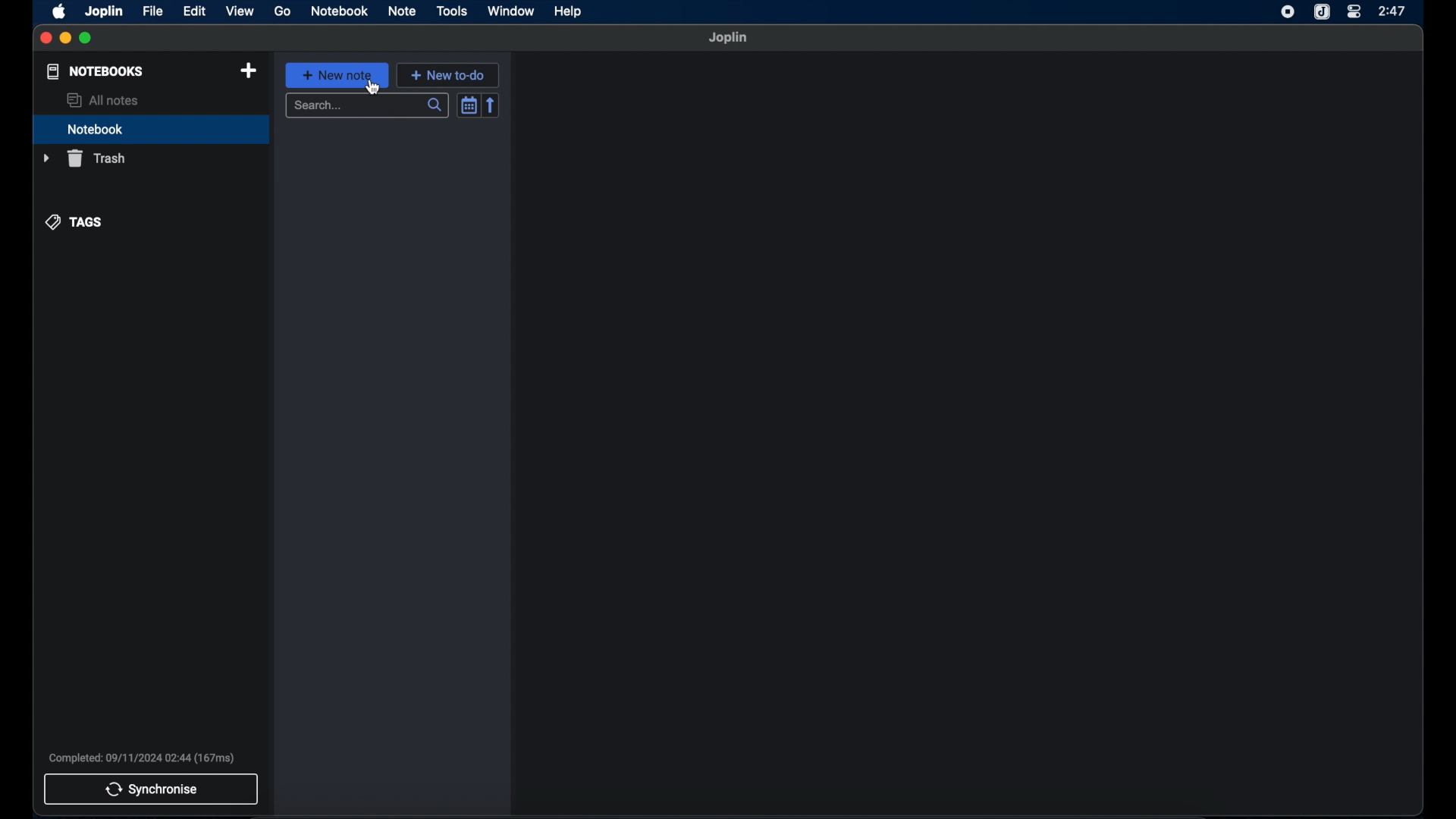 The height and width of the screenshot is (819, 1456). Describe the element at coordinates (95, 71) in the screenshot. I see `notebooks` at that location.